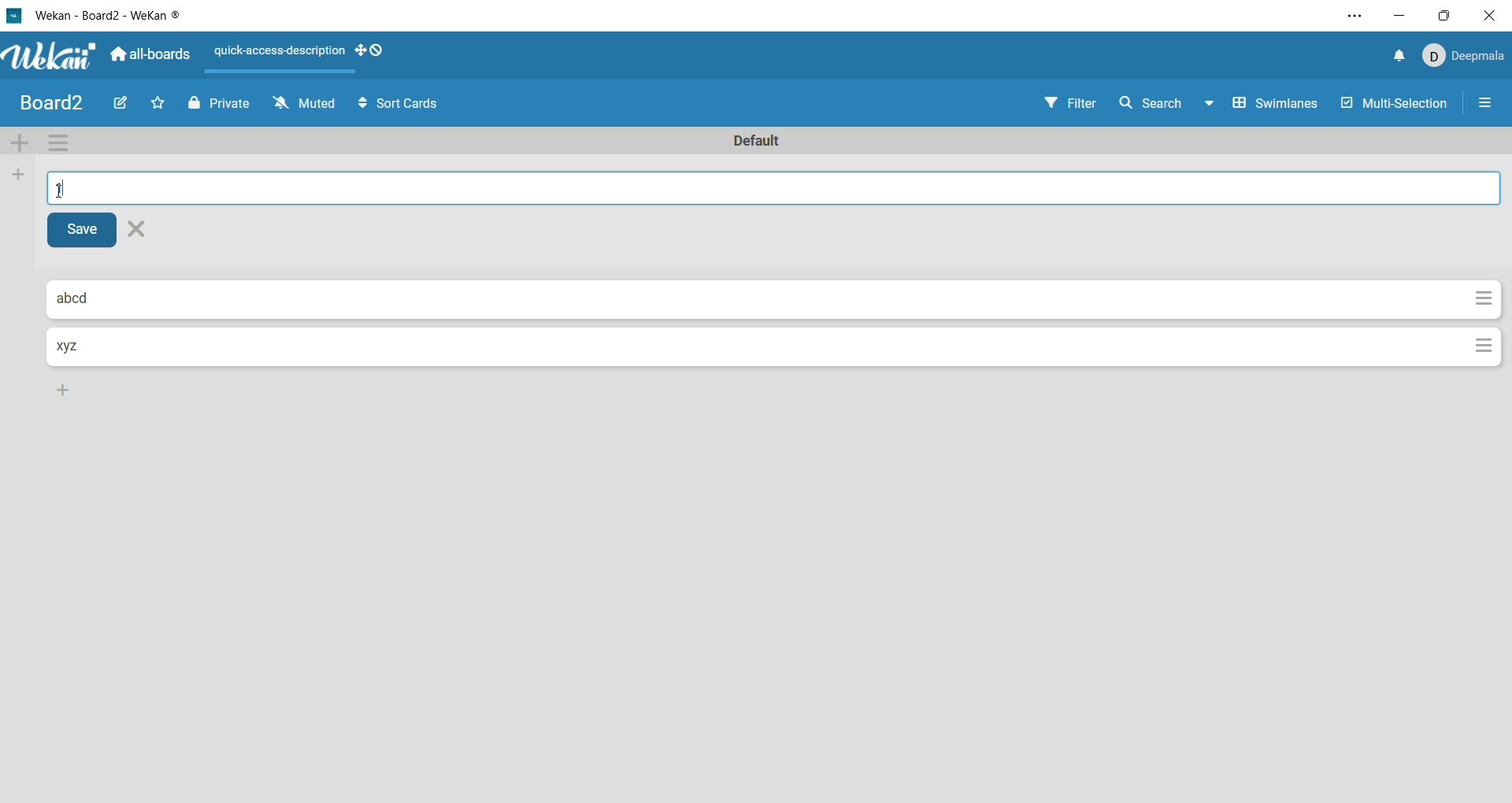 This screenshot has height=803, width=1512. What do you see at coordinates (763, 142) in the screenshot?
I see `default` at bounding box center [763, 142].